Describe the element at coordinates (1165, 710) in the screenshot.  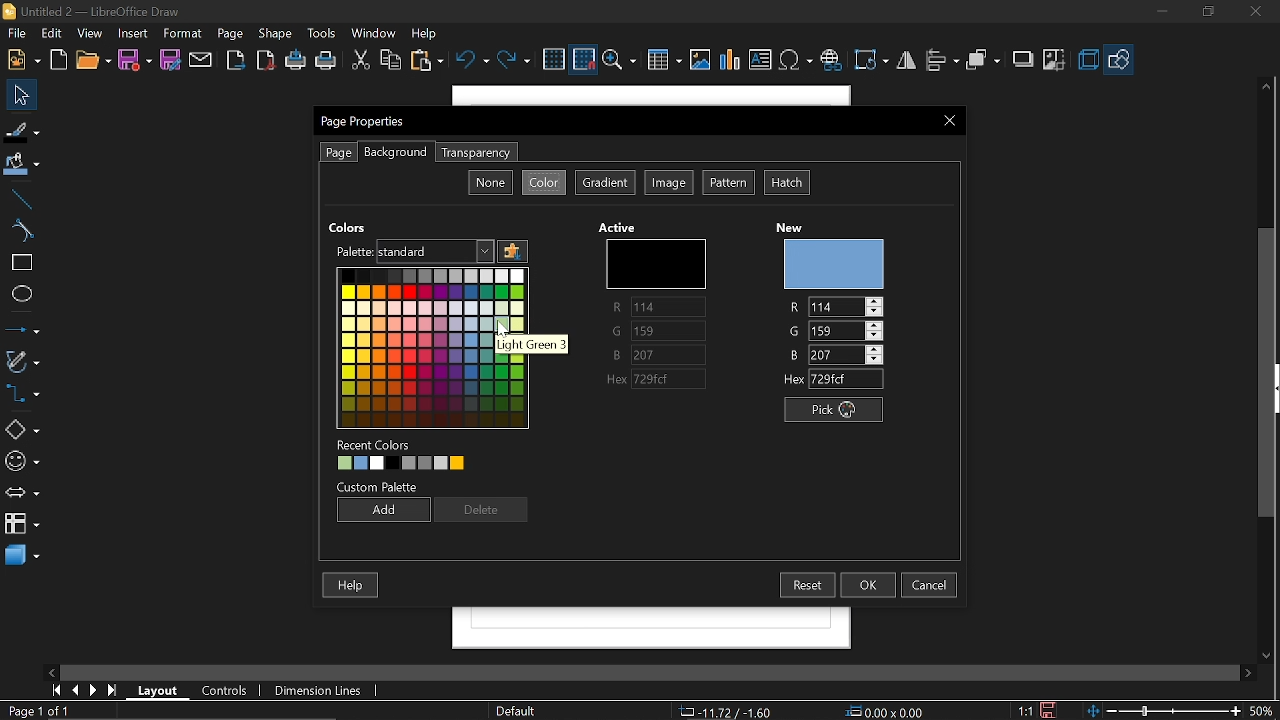
I see `Zoom changes` at that location.